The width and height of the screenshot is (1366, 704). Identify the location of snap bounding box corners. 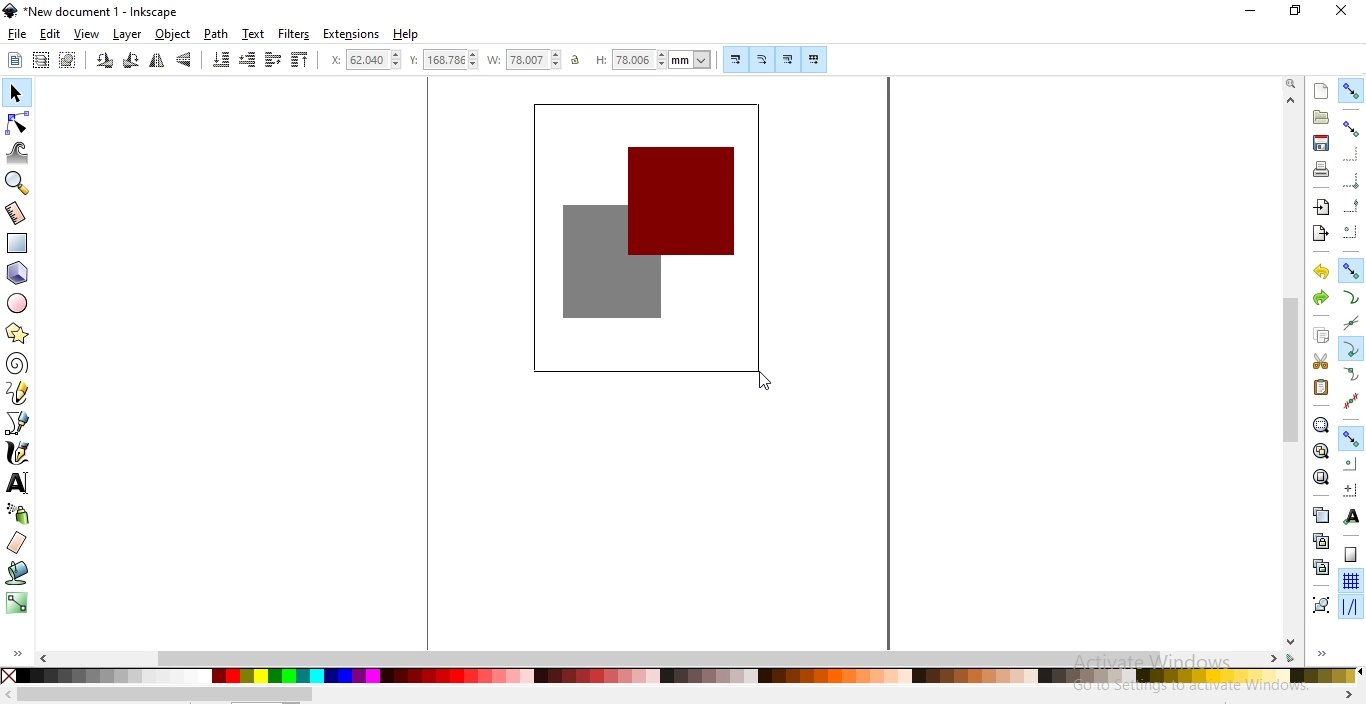
(1352, 178).